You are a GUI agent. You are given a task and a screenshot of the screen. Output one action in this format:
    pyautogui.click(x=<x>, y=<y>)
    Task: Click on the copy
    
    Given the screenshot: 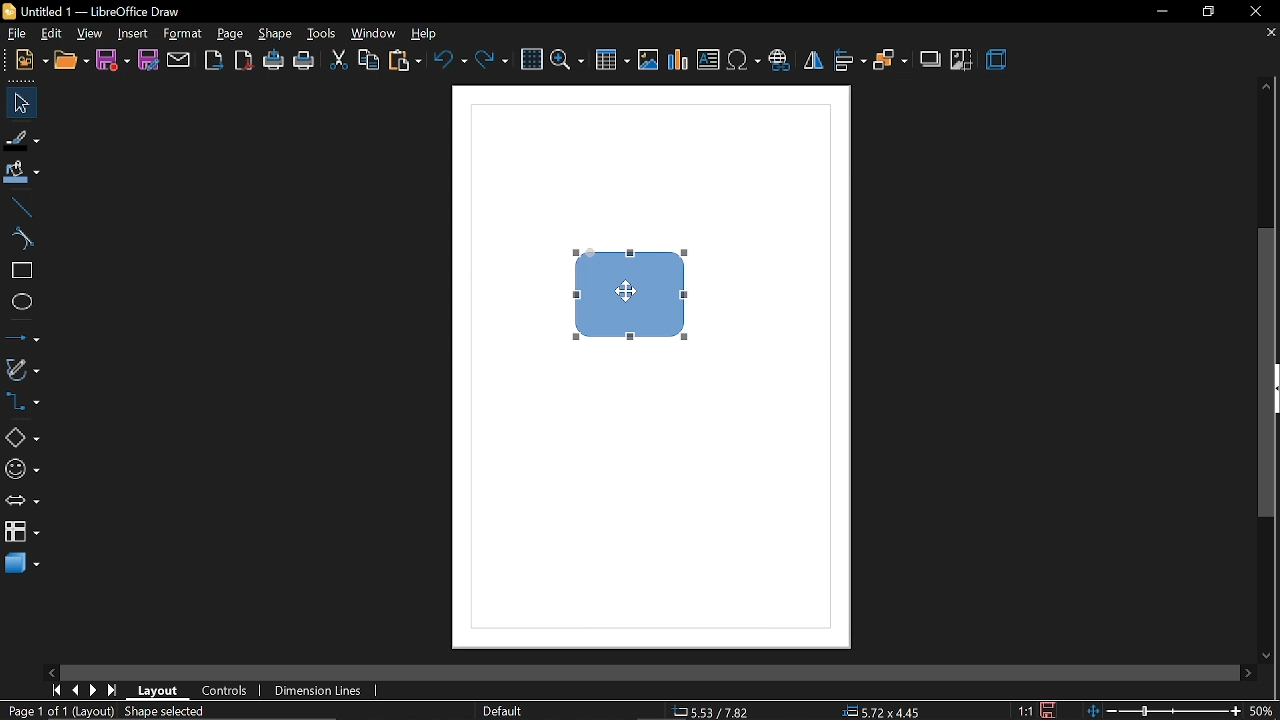 What is the action you would take?
    pyautogui.click(x=369, y=62)
    